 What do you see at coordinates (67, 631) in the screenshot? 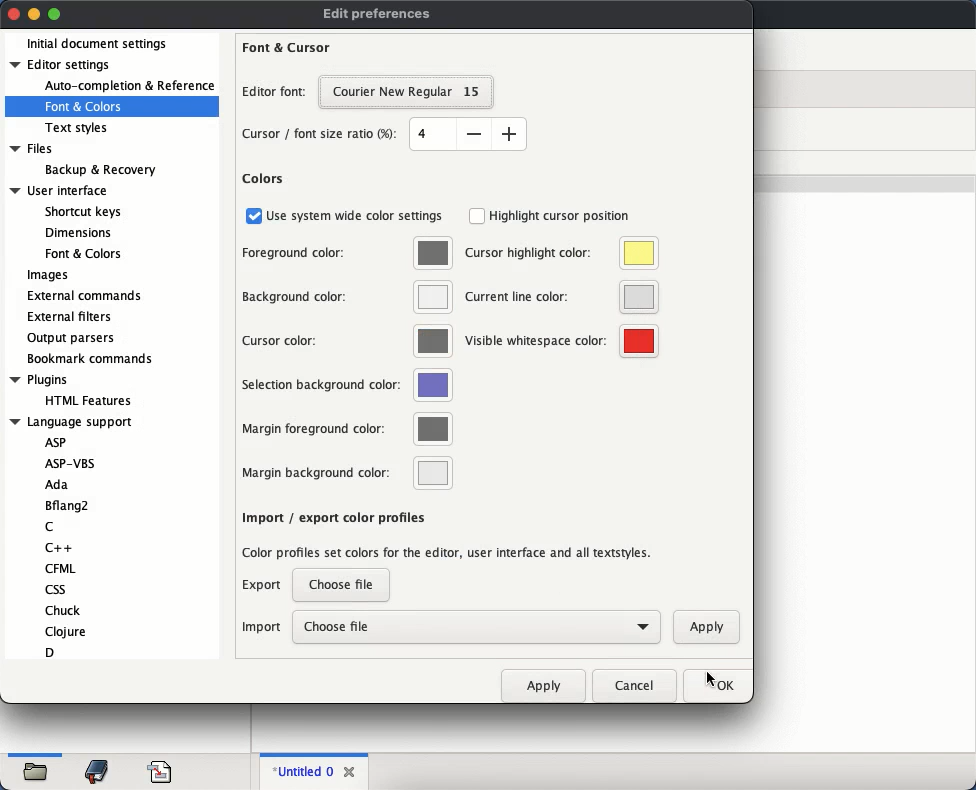
I see `clojure` at bounding box center [67, 631].